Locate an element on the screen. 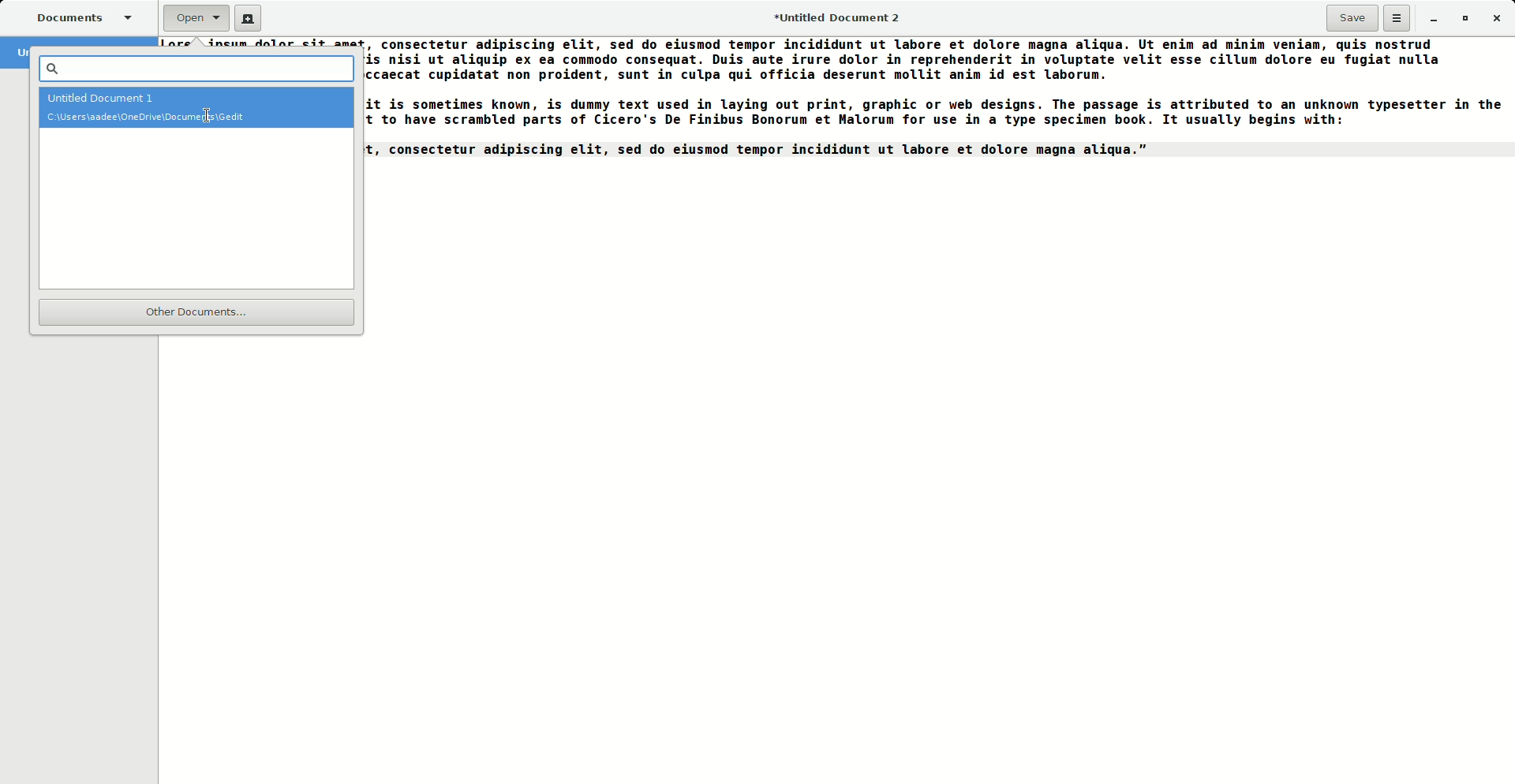 The width and height of the screenshot is (1515, 784). Paragraphs is located at coordinates (263, 43).